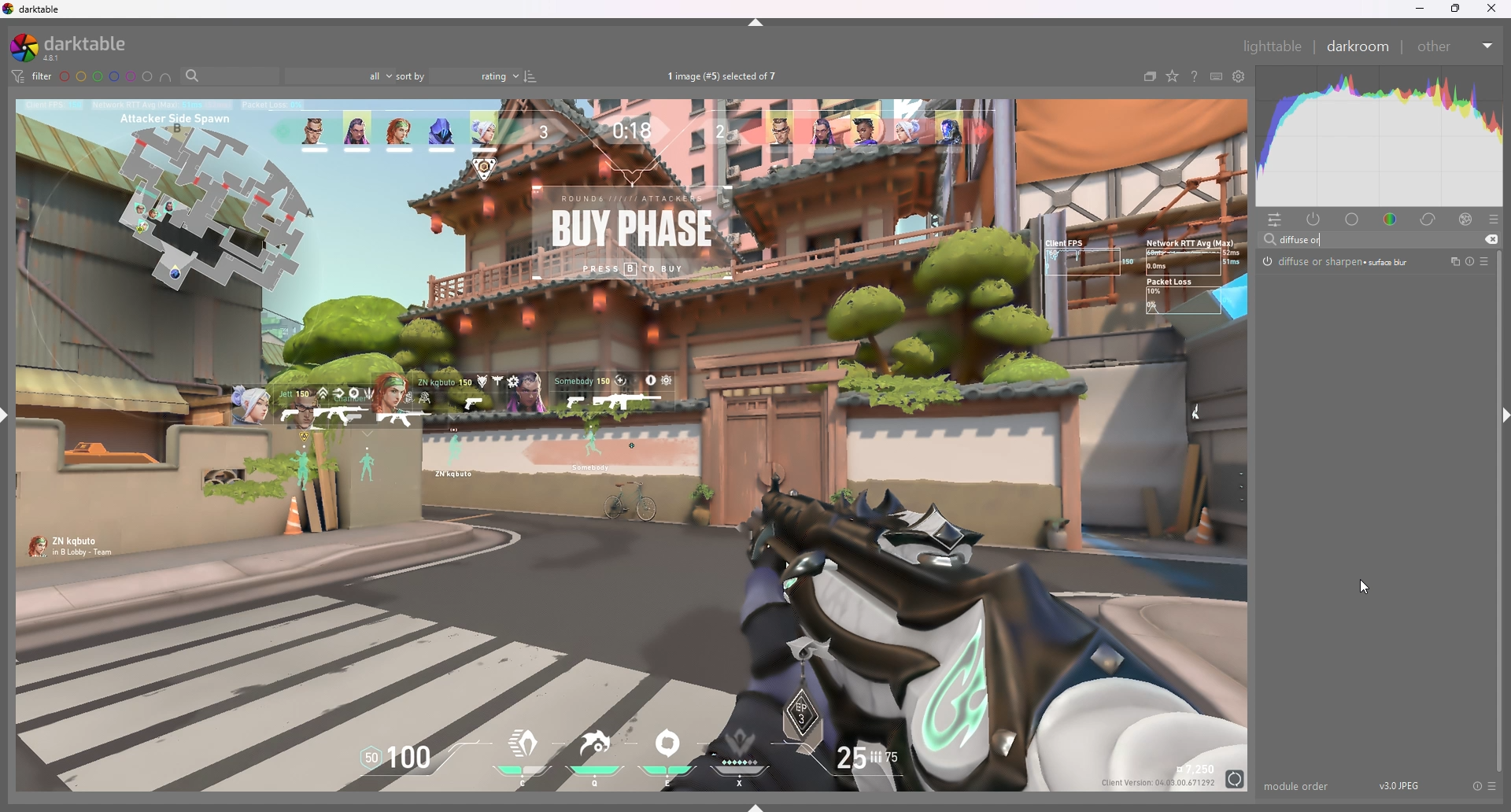  What do you see at coordinates (459, 76) in the screenshot?
I see `sort by` at bounding box center [459, 76].